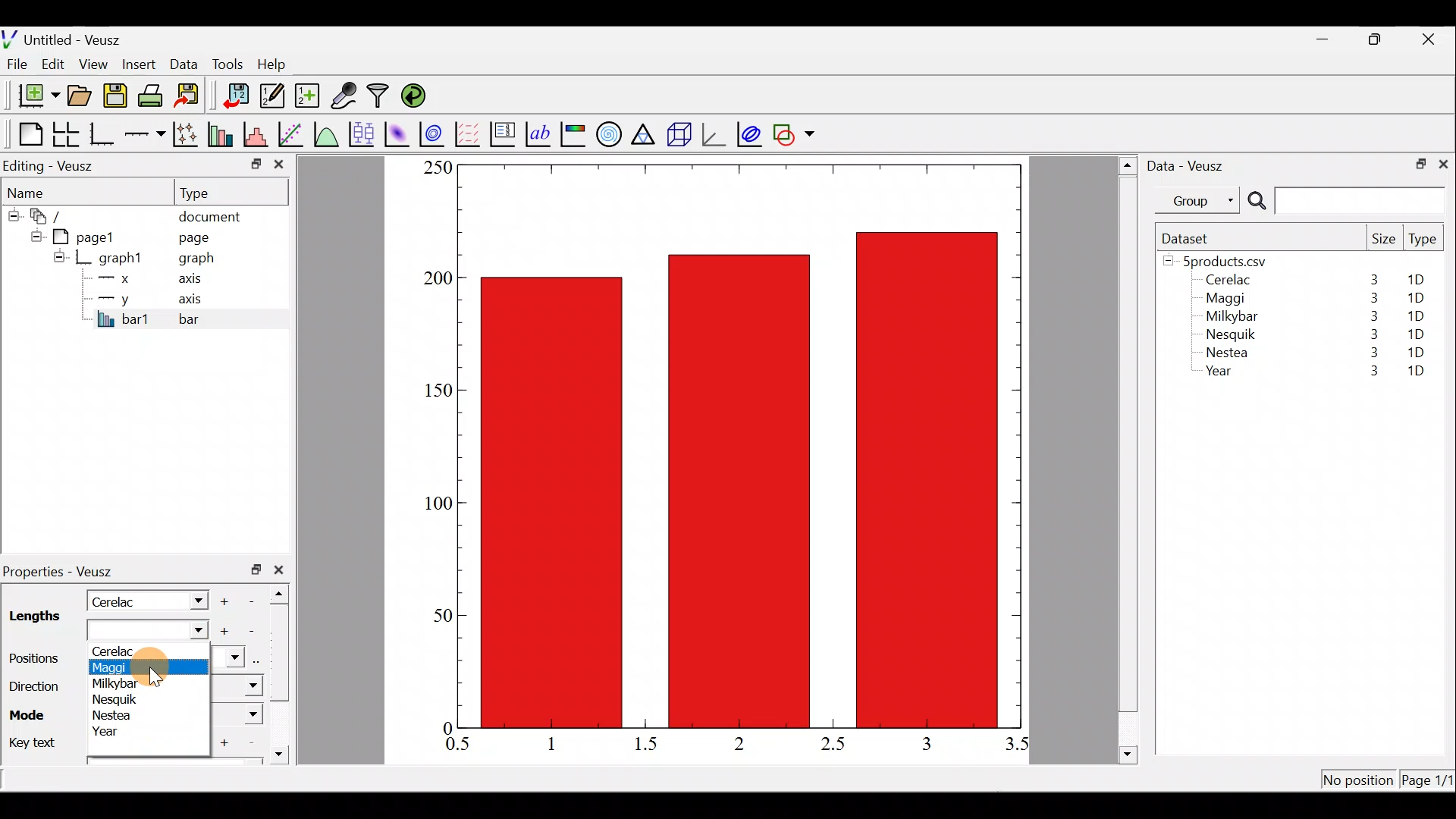 The width and height of the screenshot is (1456, 819). I want to click on Histogram of a dataset, so click(260, 135).